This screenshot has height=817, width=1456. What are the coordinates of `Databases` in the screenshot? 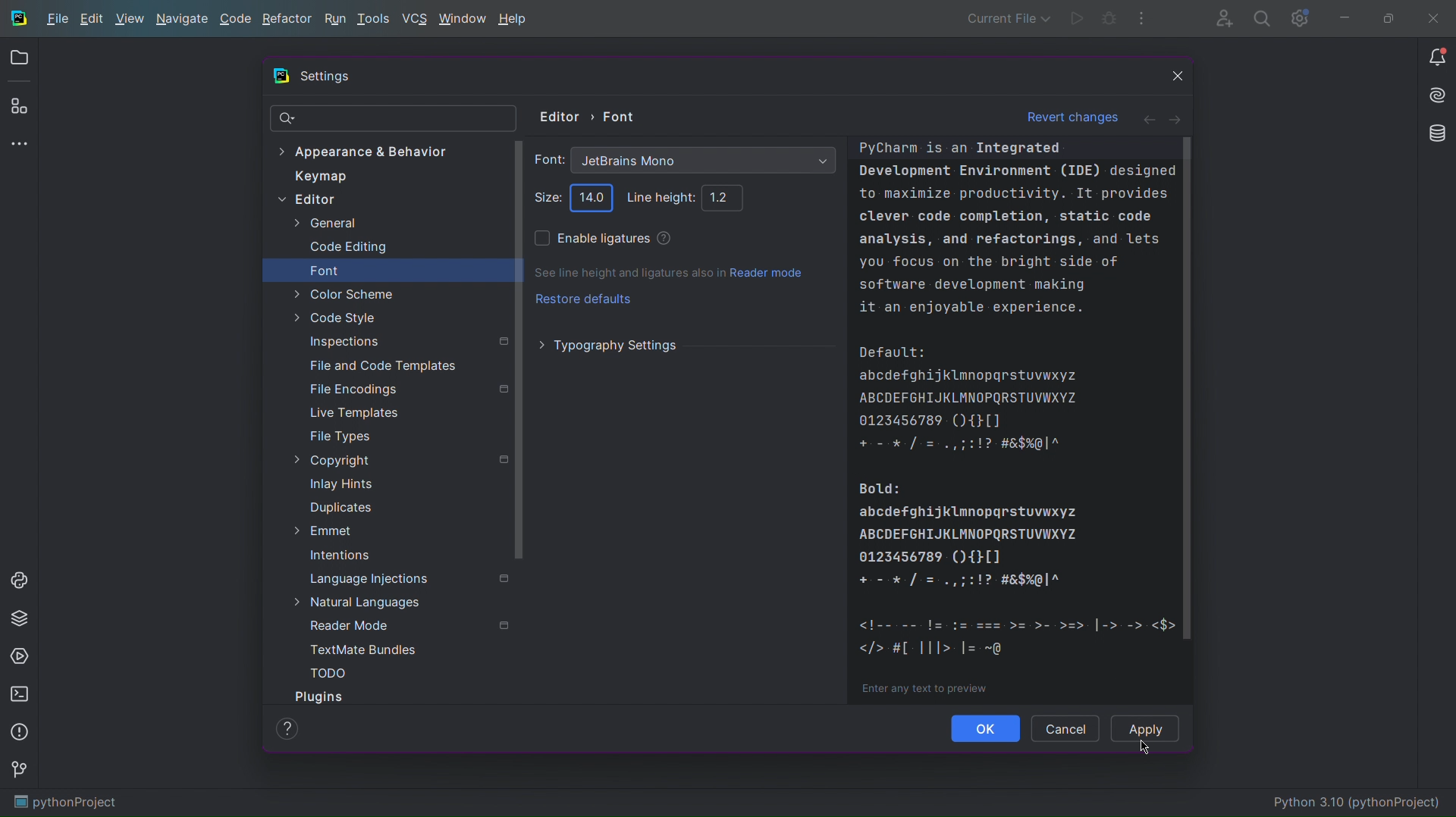 It's located at (1432, 136).